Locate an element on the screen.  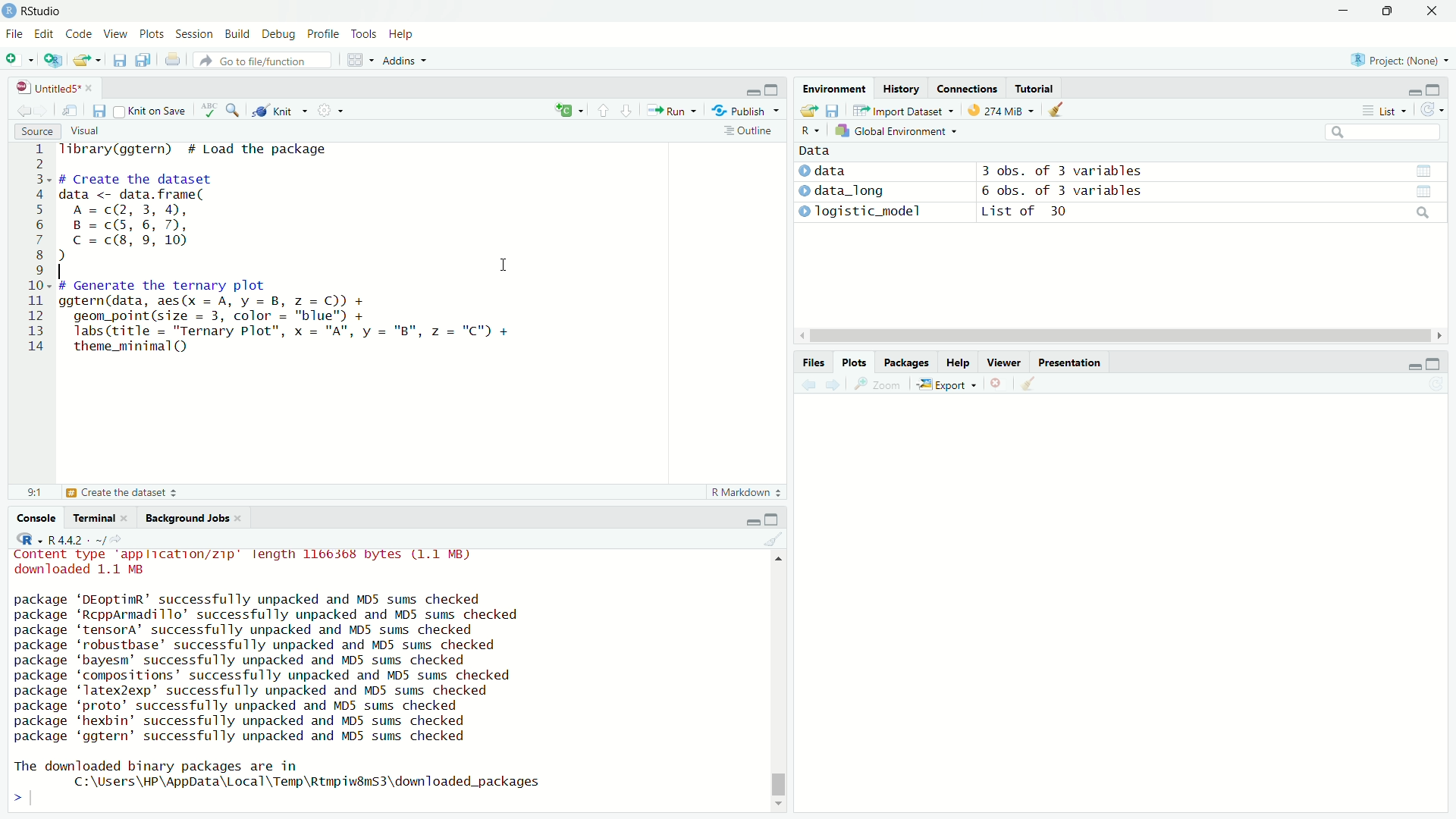
cursor is located at coordinates (504, 265).